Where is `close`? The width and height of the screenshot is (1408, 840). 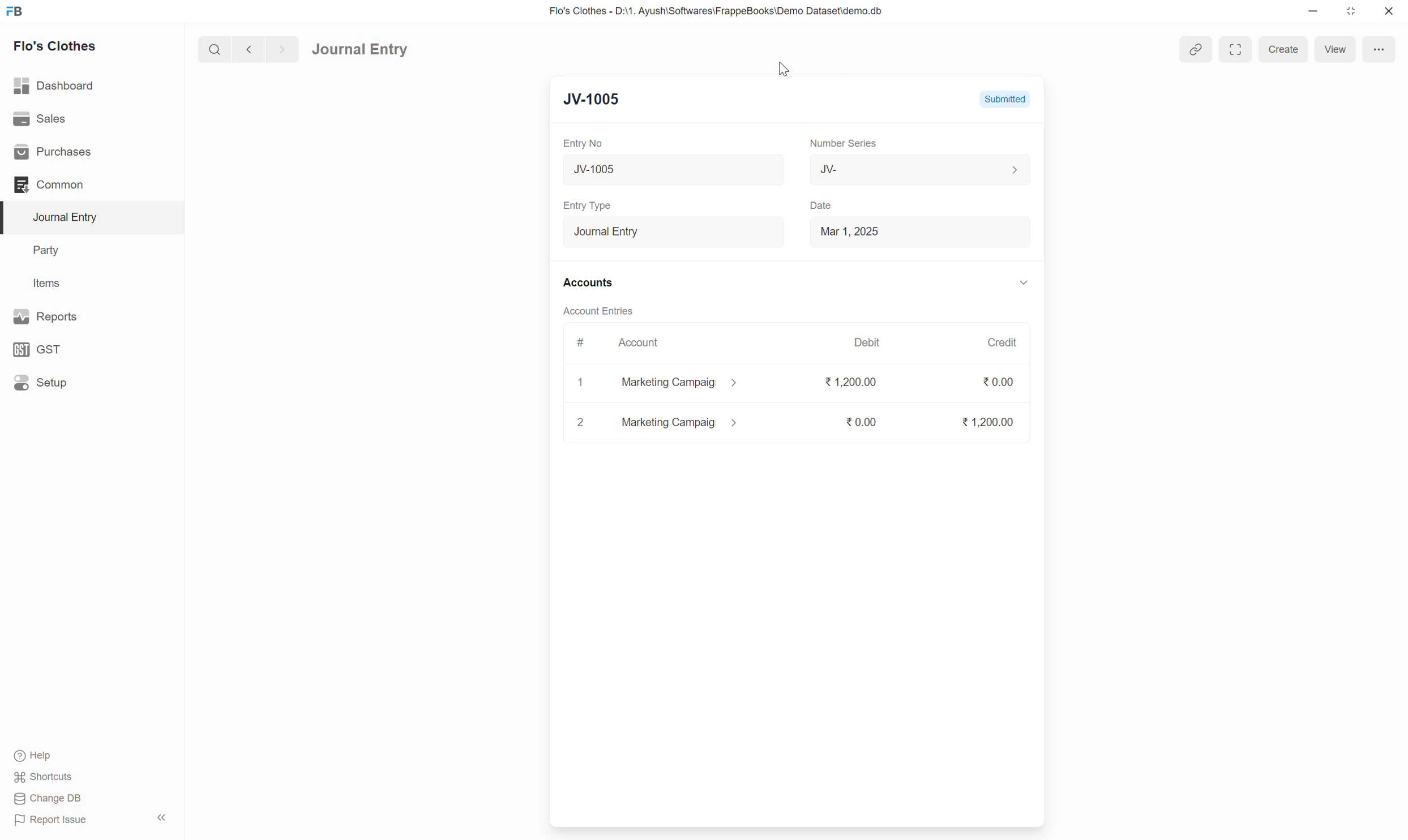
close is located at coordinates (1389, 11).